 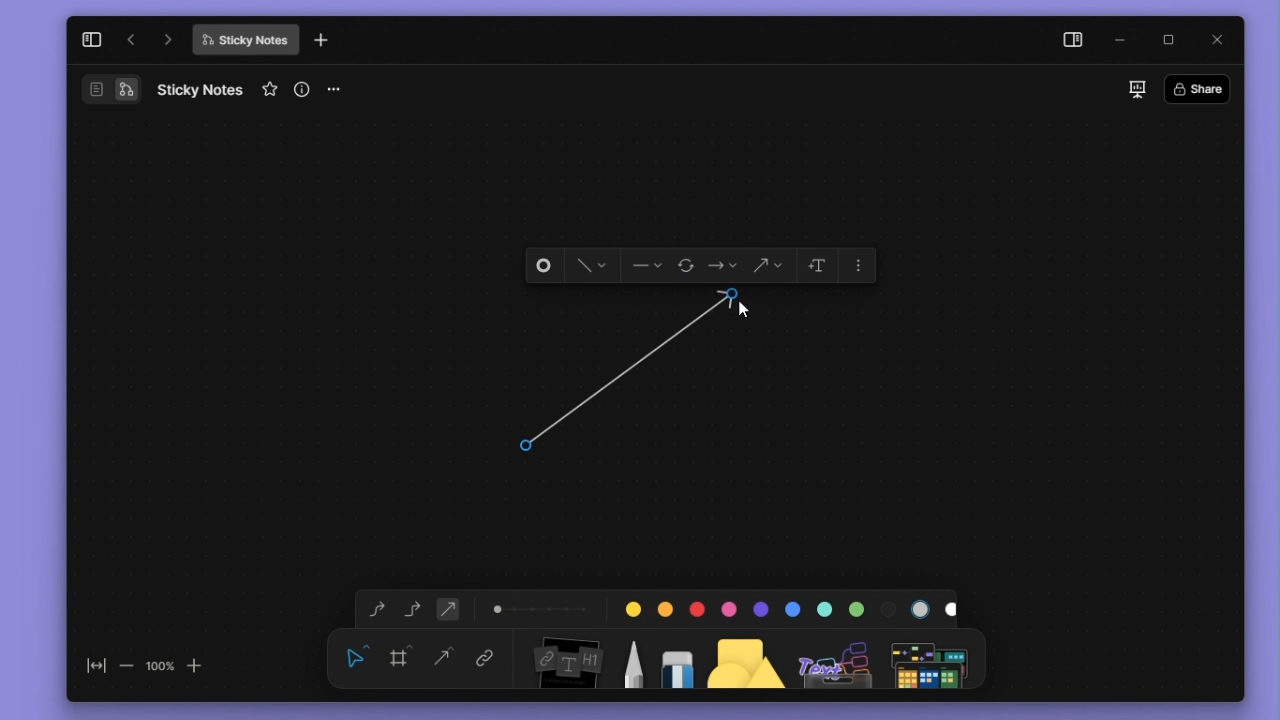 I want to click on add text, so click(x=815, y=265).